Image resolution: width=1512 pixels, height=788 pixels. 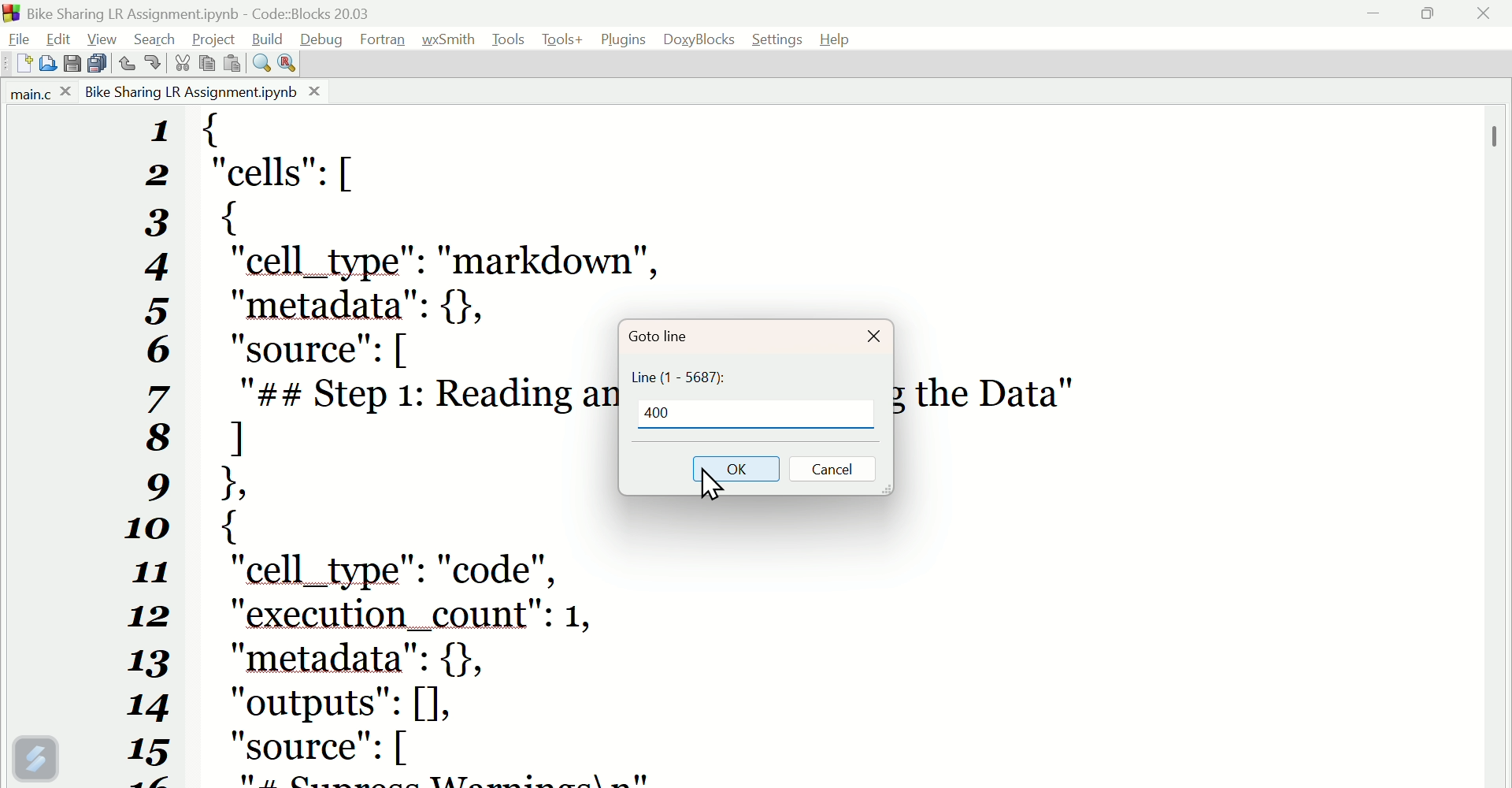 I want to click on Debug, so click(x=322, y=39).